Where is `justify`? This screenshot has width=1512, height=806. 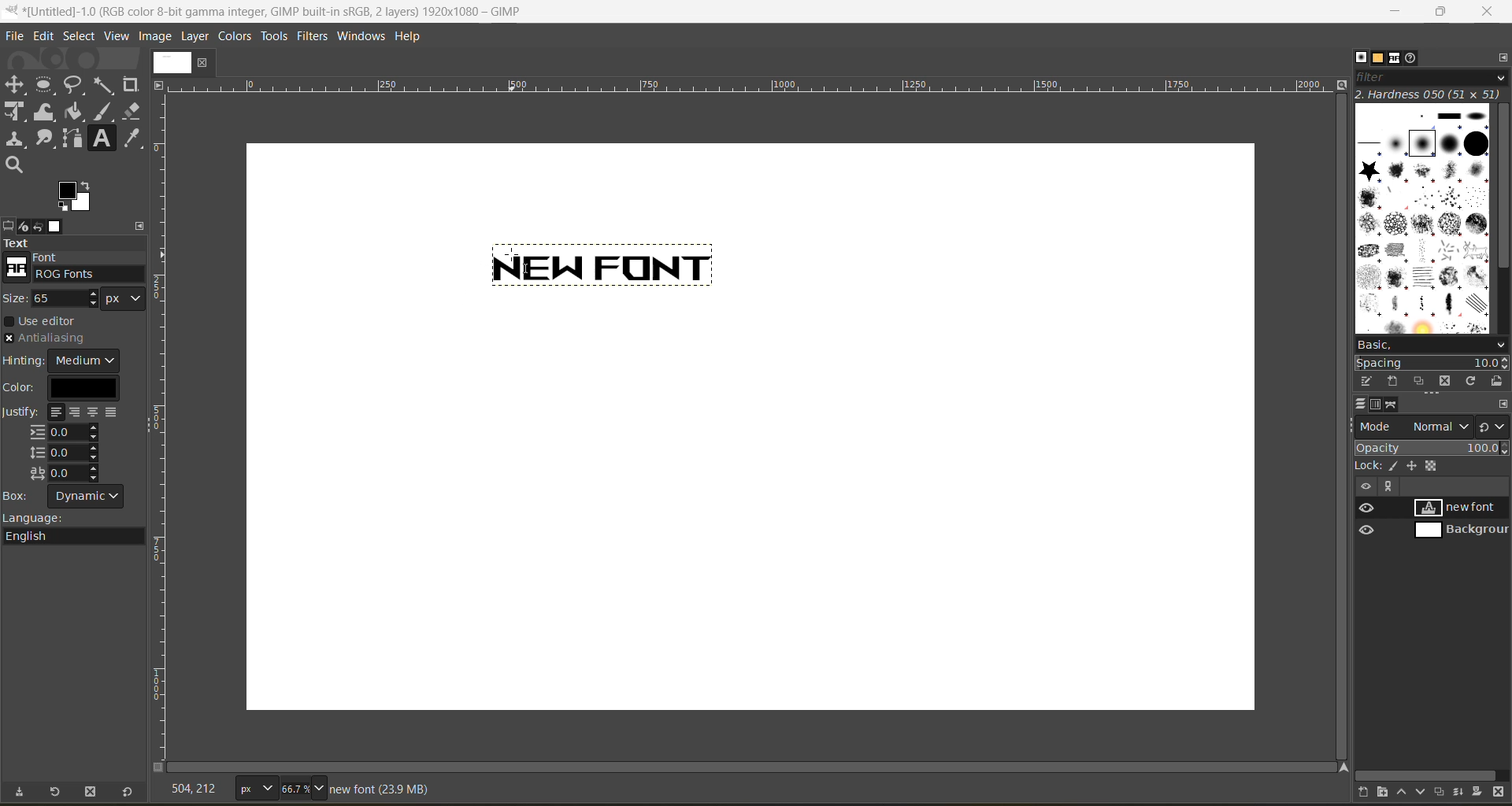
justify is located at coordinates (65, 445).